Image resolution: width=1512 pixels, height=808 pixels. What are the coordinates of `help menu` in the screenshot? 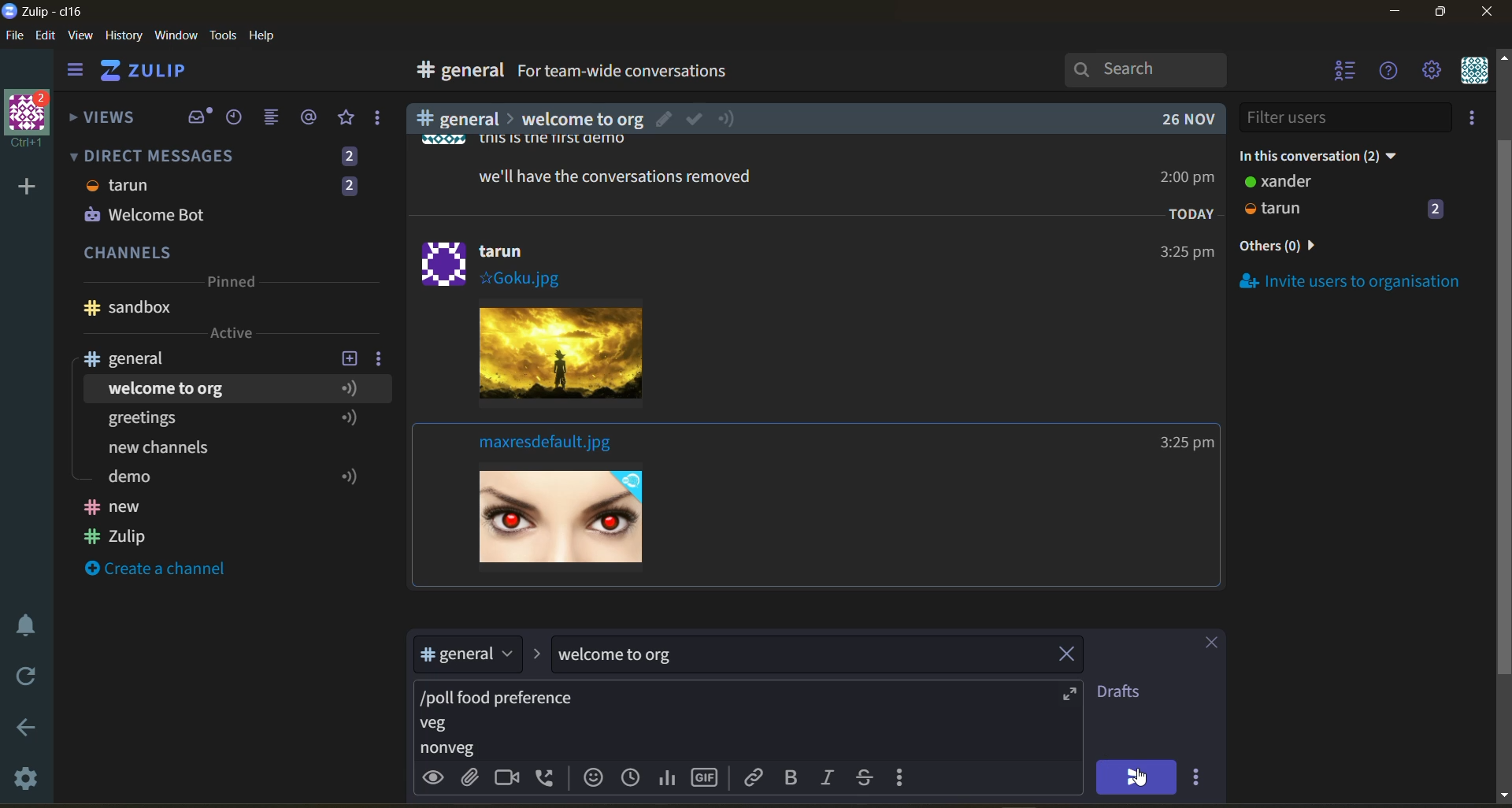 It's located at (1390, 72).